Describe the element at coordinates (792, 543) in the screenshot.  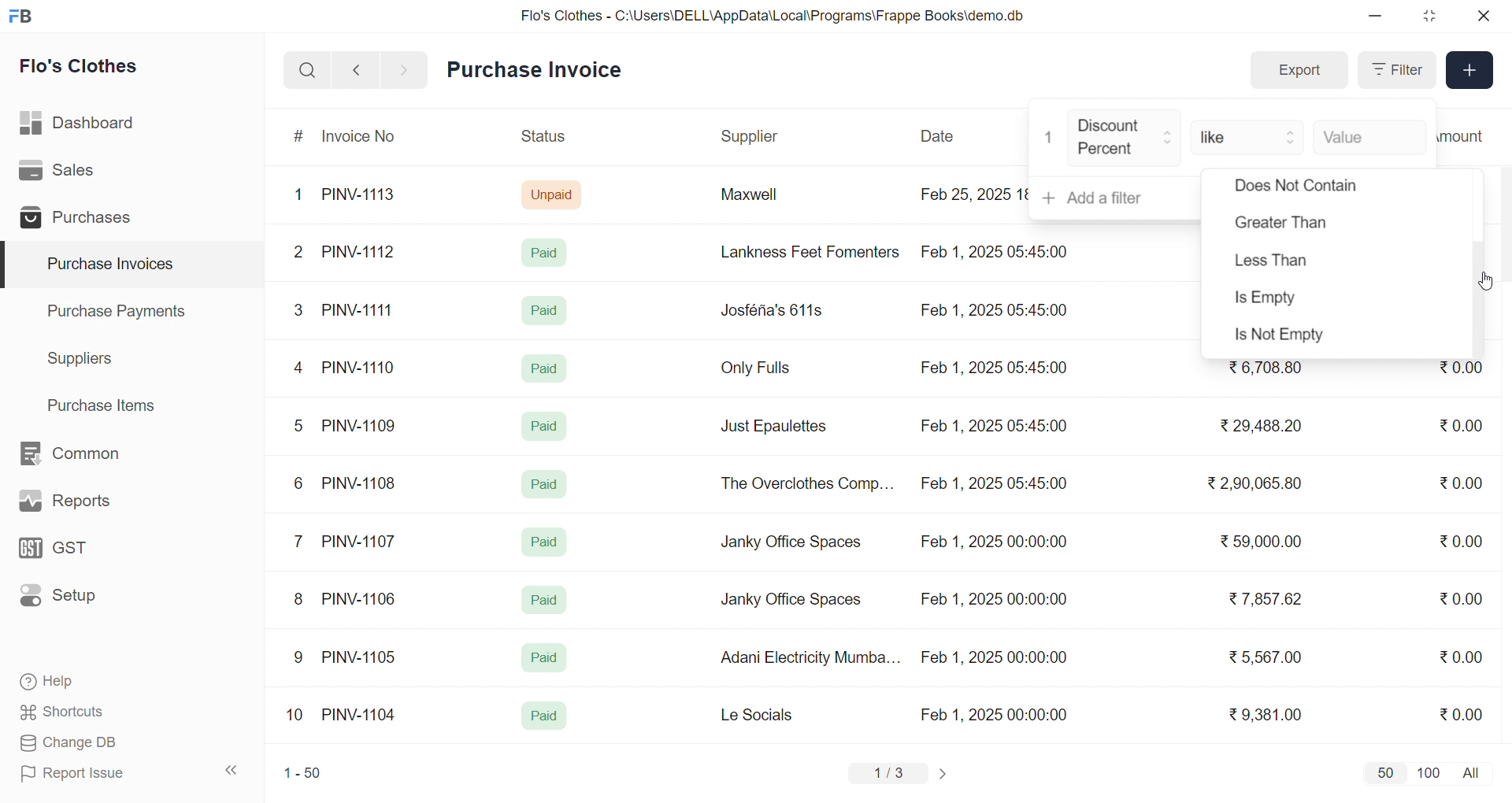
I see `Janky Office Spaces` at that location.